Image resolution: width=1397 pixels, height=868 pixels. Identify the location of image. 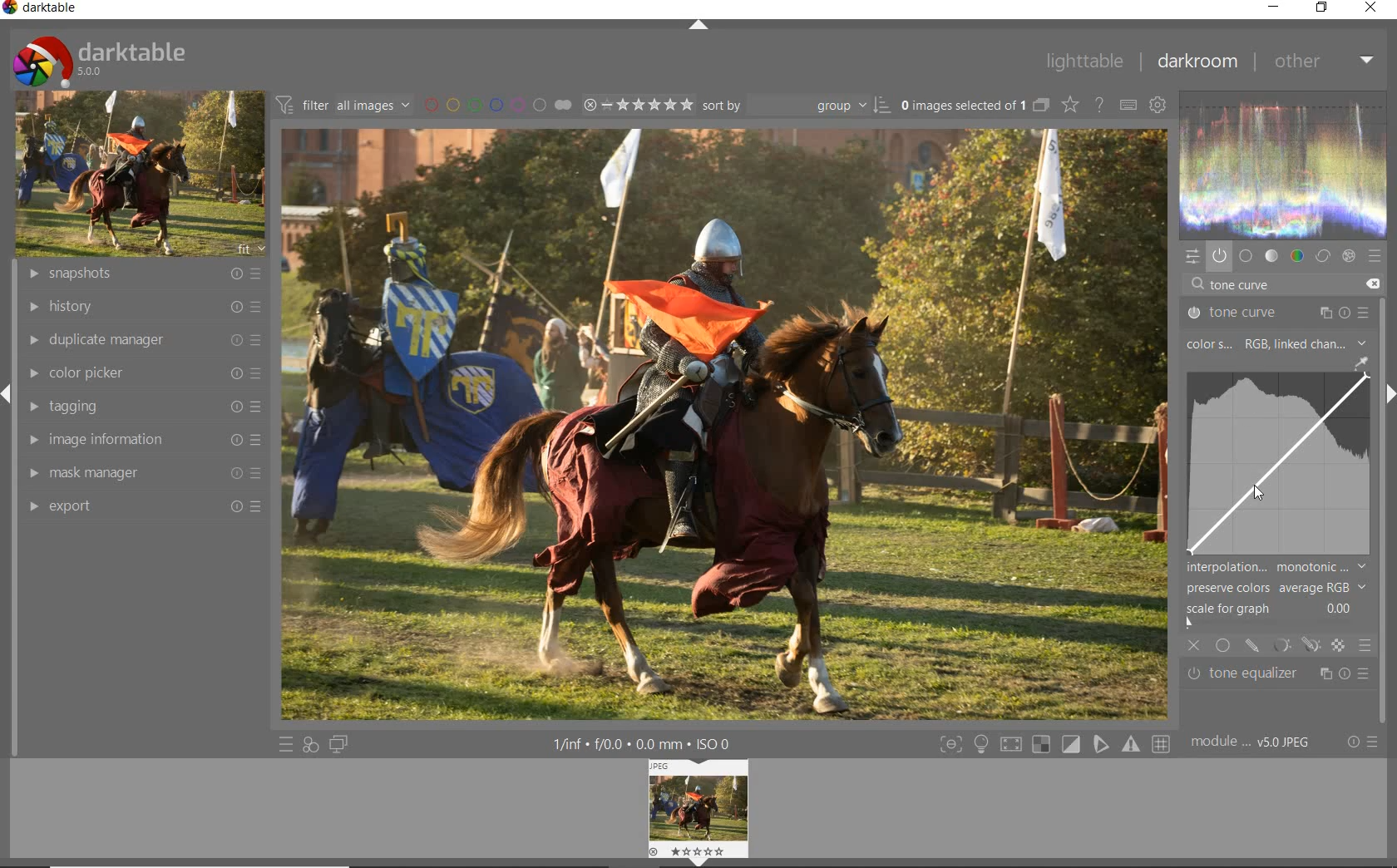
(136, 175).